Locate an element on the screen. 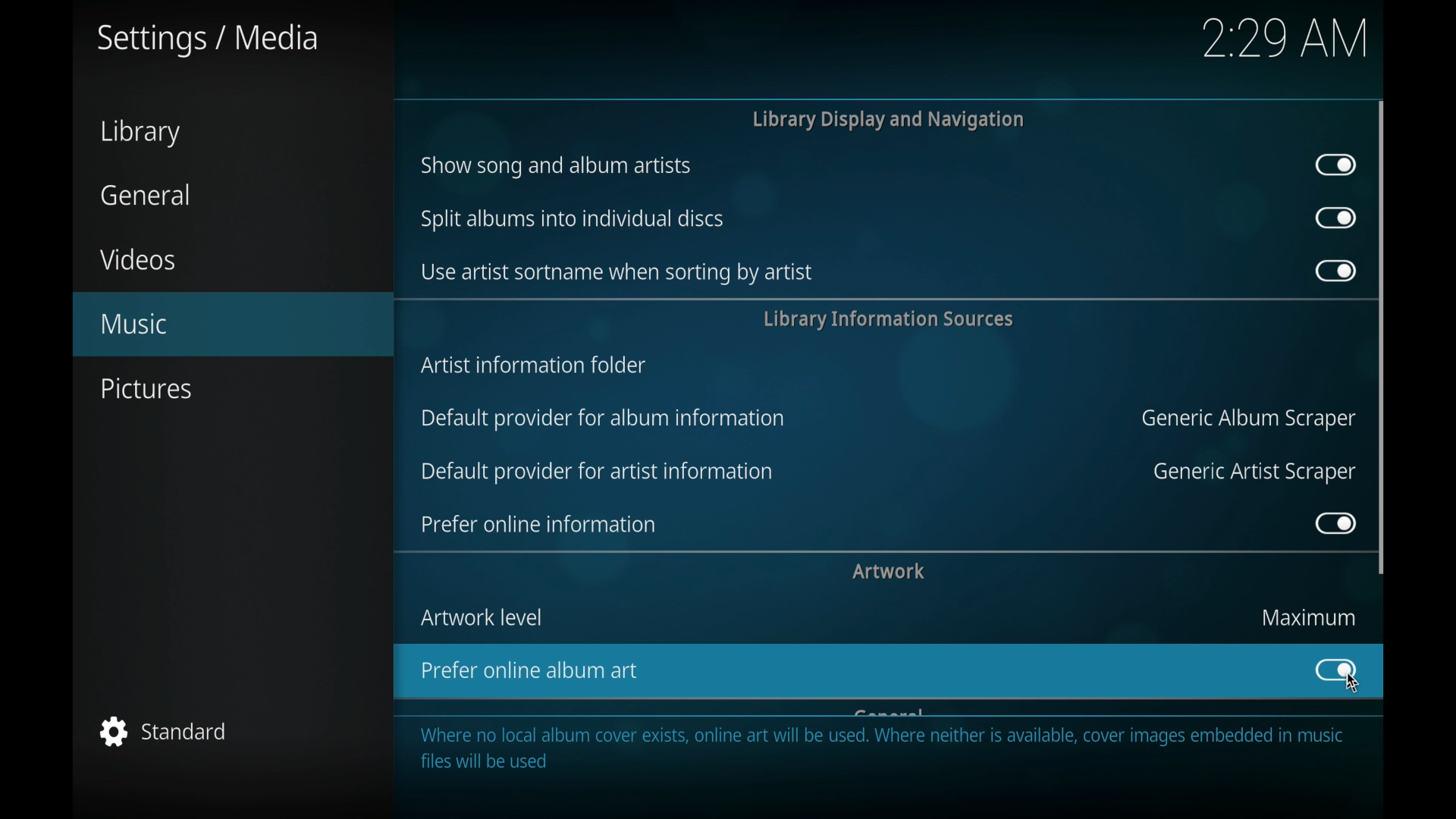  toggle button is located at coordinates (1335, 165).